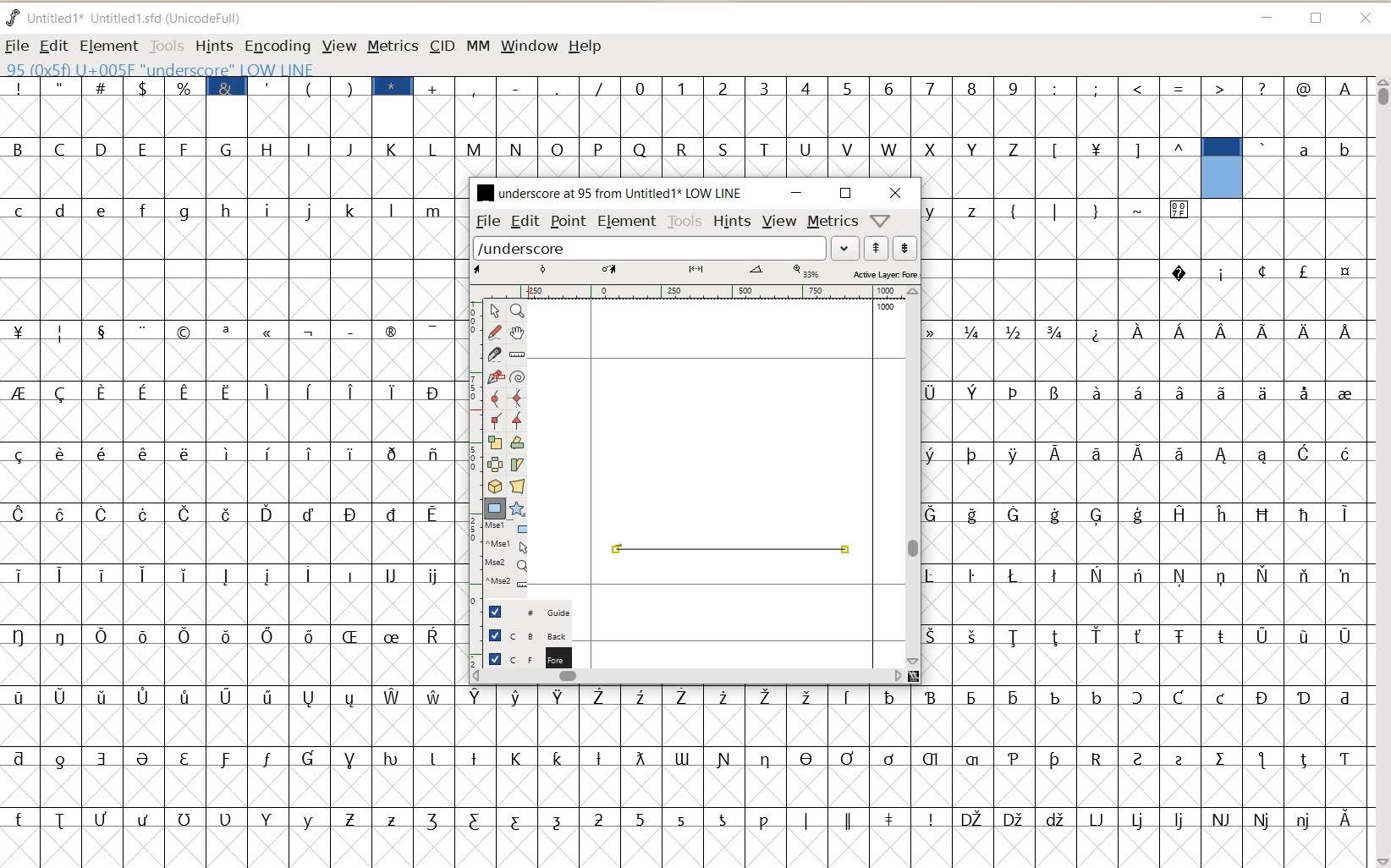  I want to click on HELP, so click(587, 47).